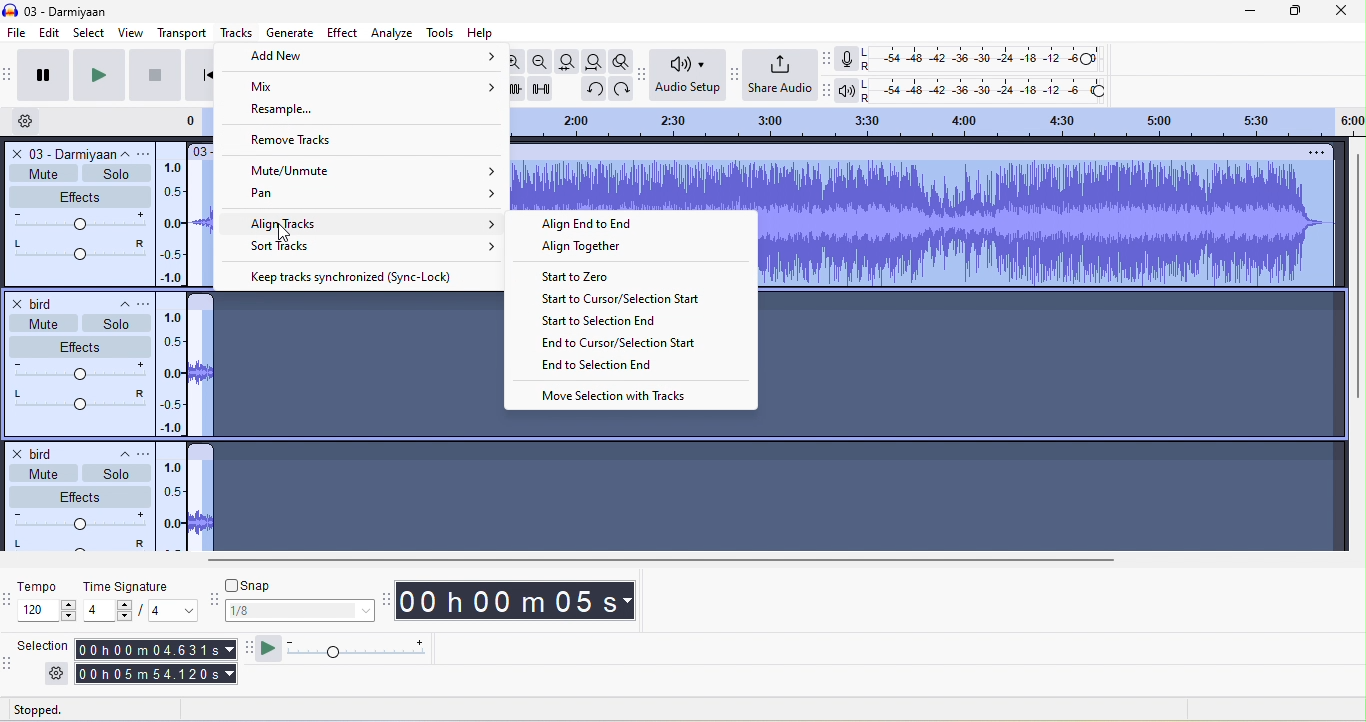 This screenshot has width=1366, height=722. Describe the element at coordinates (149, 152) in the screenshot. I see `open menu` at that location.